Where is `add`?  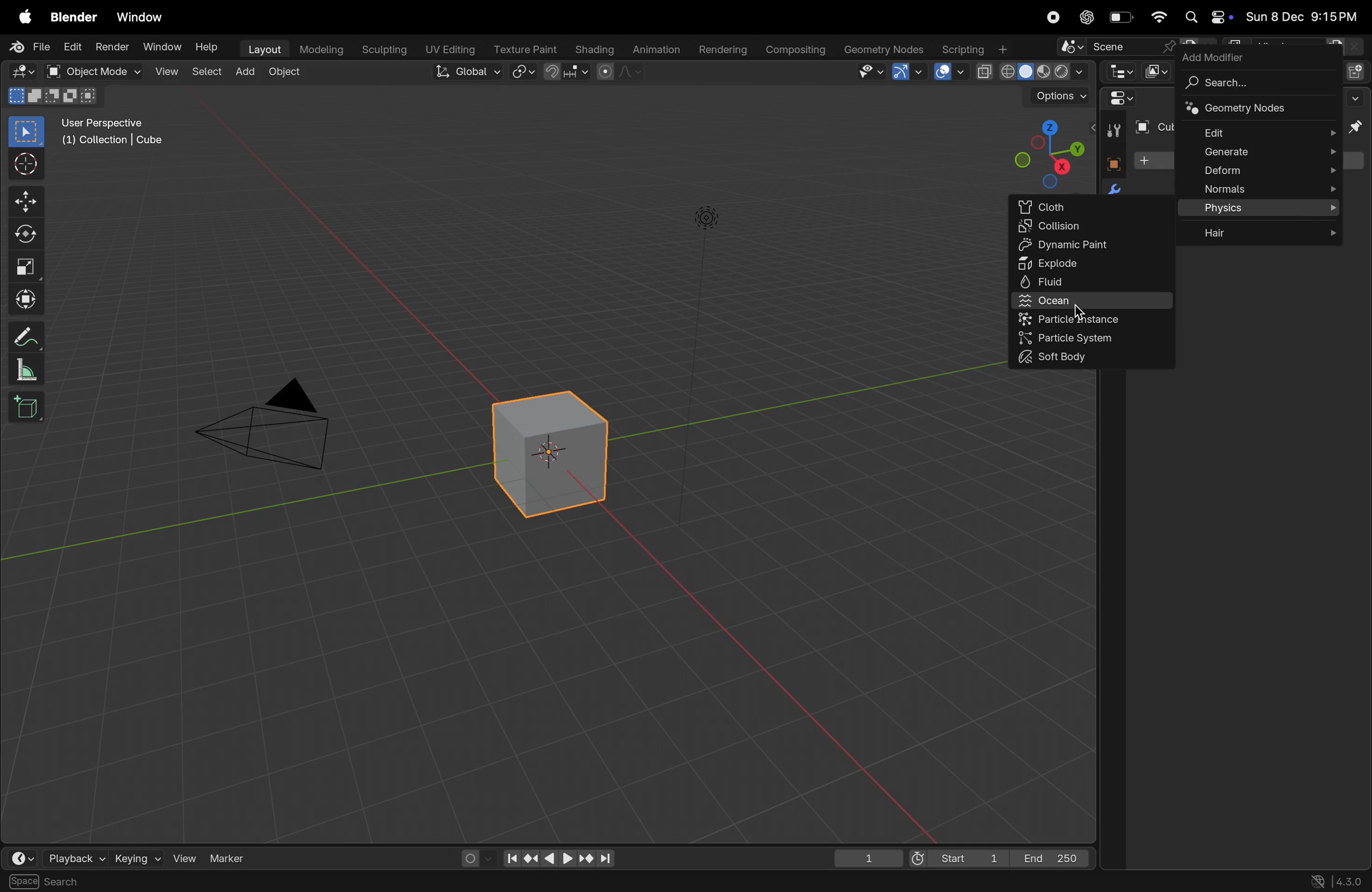 add is located at coordinates (249, 72).